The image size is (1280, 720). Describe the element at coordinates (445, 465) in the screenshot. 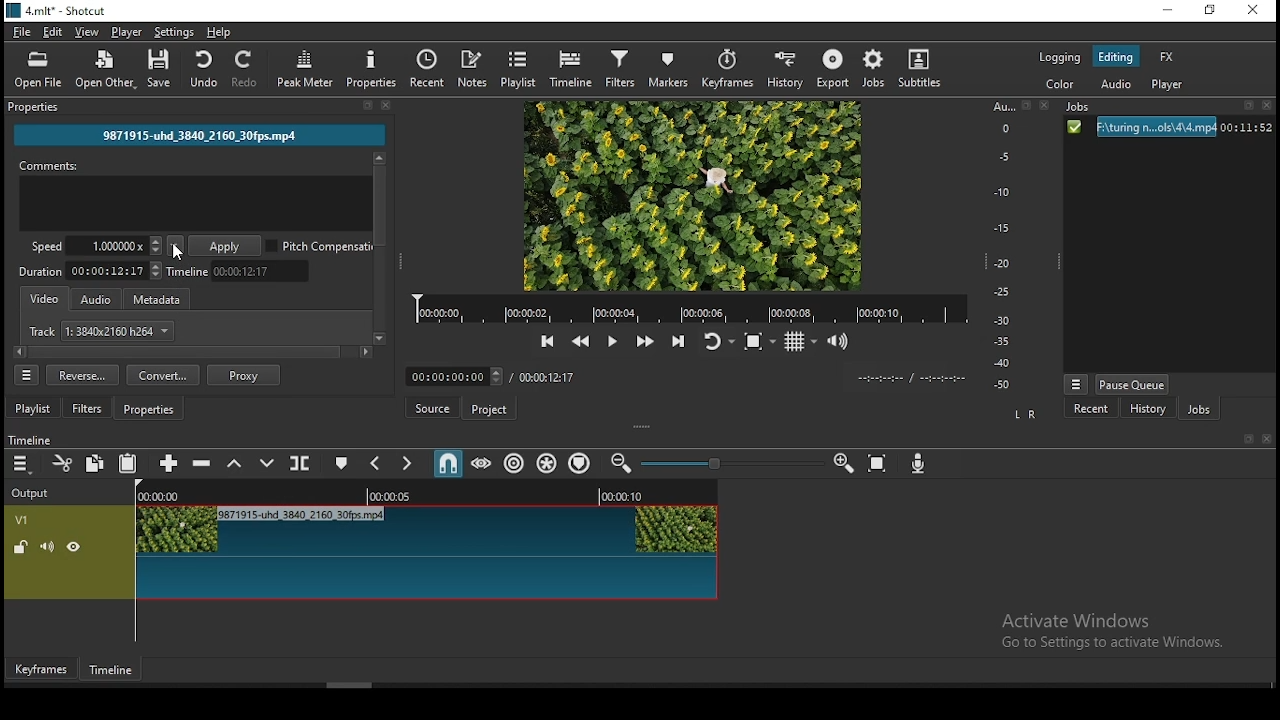

I see `snap` at that location.